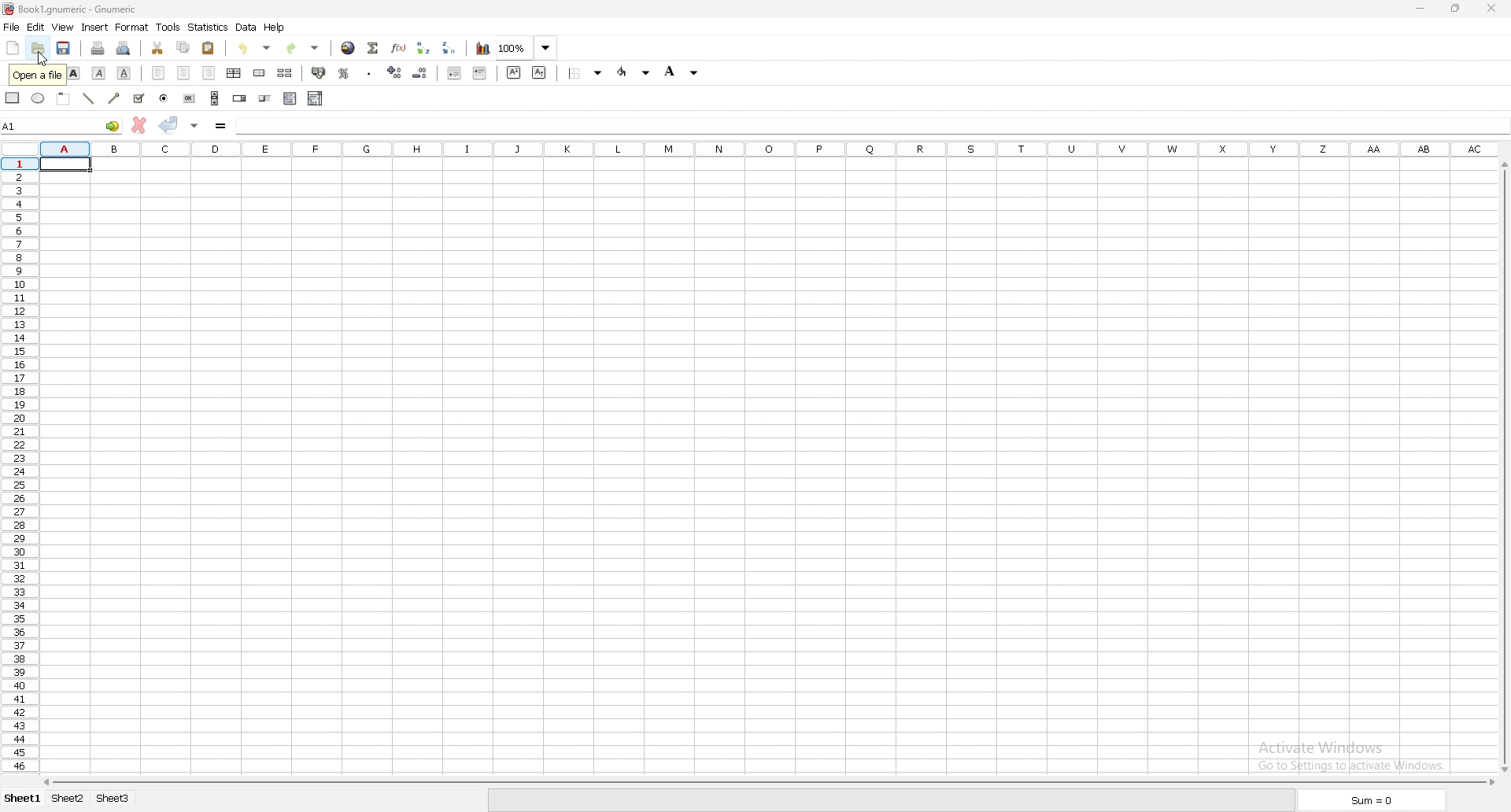 This screenshot has width=1511, height=812. Describe the element at coordinates (116, 800) in the screenshot. I see `sheet3` at that location.